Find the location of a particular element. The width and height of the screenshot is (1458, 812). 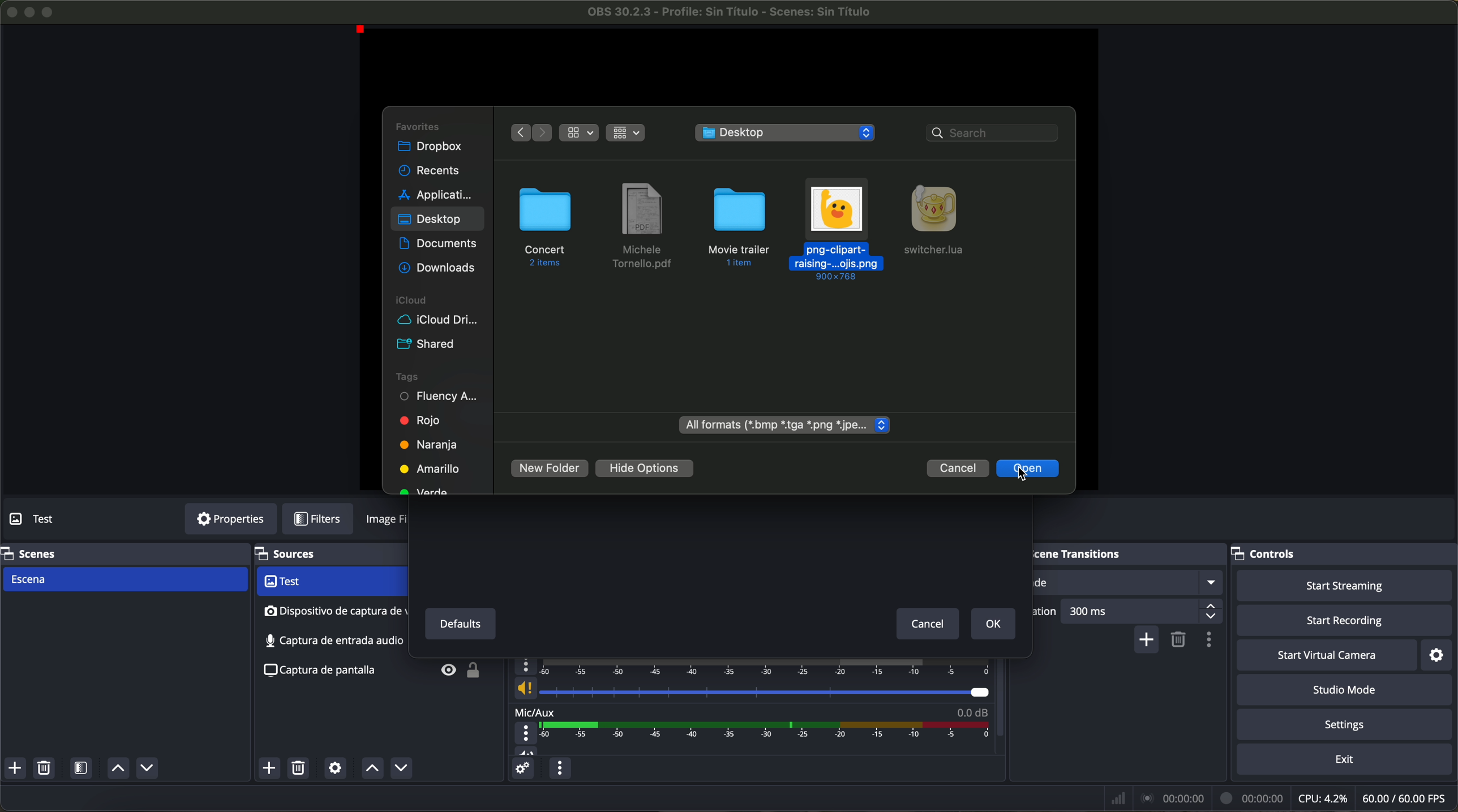

folder is located at coordinates (546, 228).